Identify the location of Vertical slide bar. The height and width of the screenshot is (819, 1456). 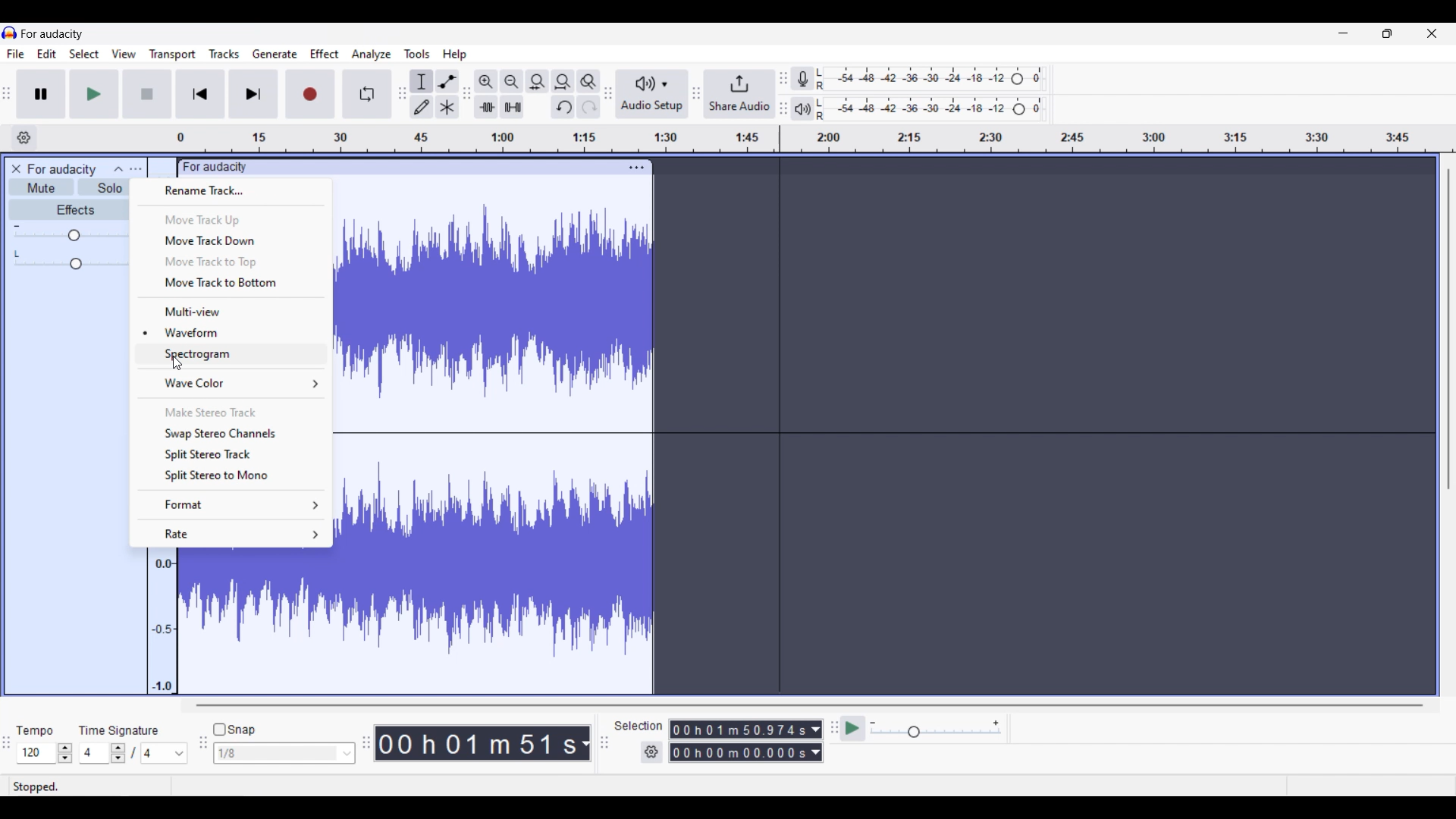
(1448, 330).